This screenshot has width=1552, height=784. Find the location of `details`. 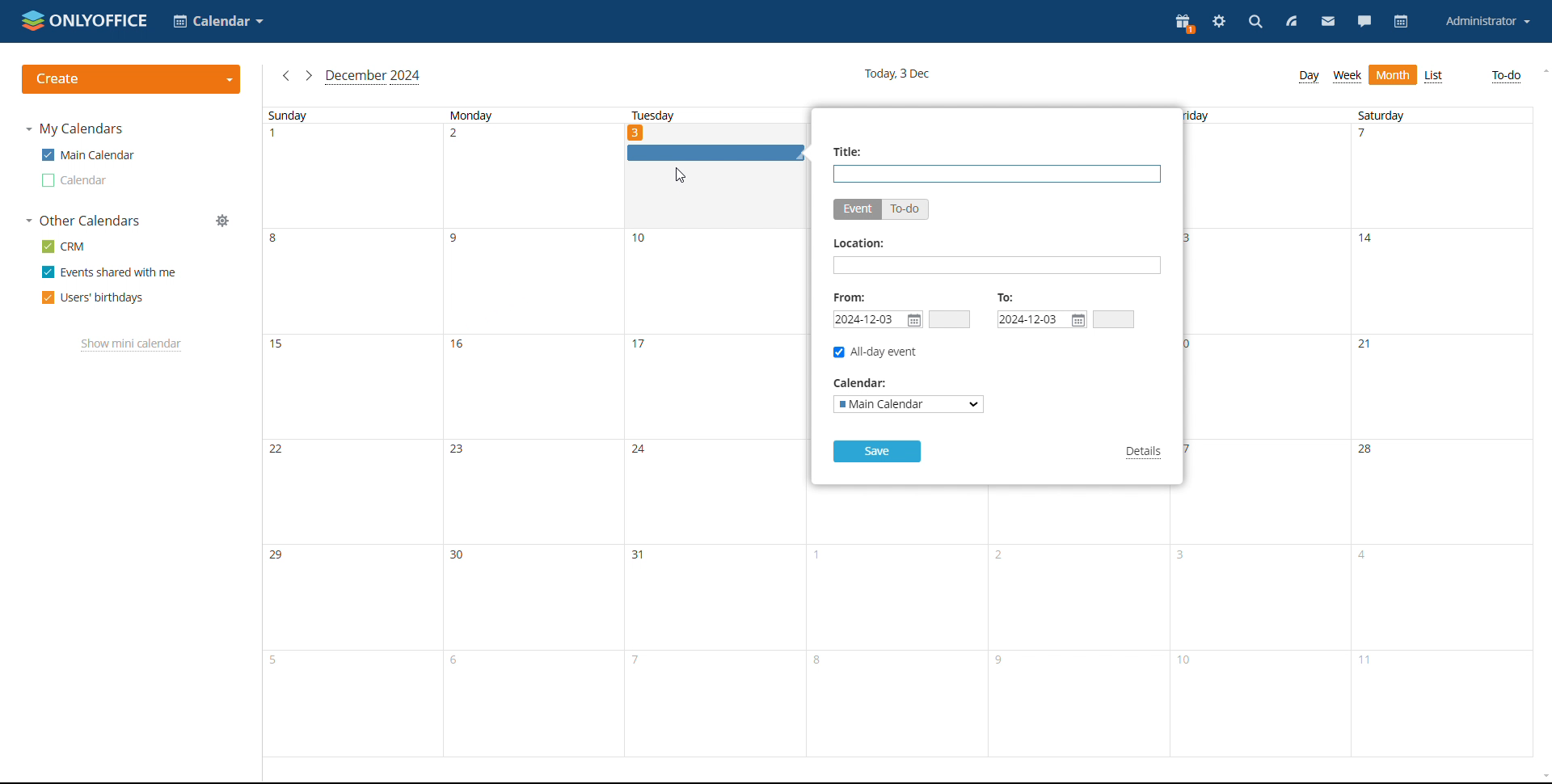

details is located at coordinates (1144, 453).